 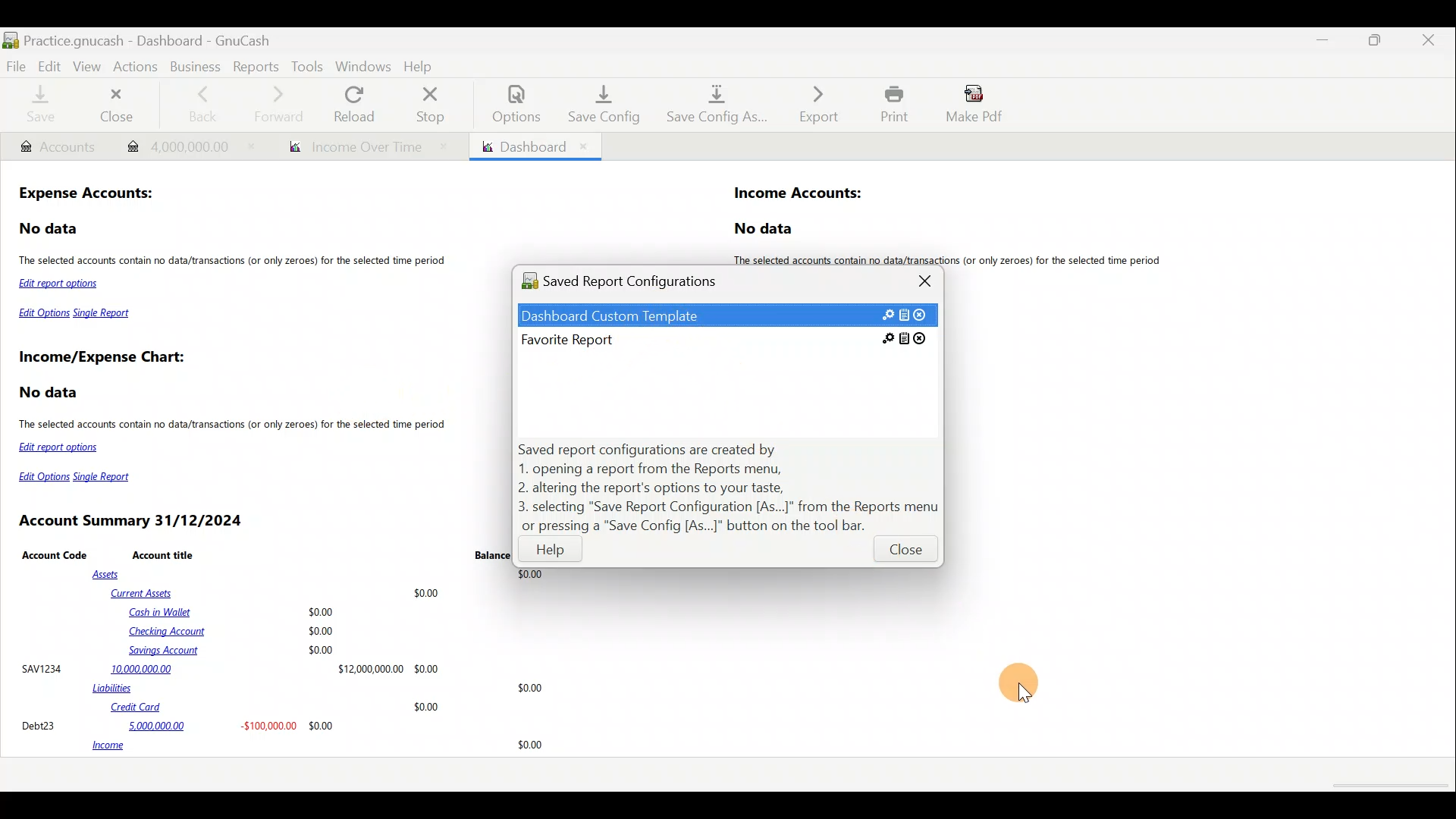 What do you see at coordinates (621, 281) in the screenshot?
I see `Saved Report Configurations` at bounding box center [621, 281].